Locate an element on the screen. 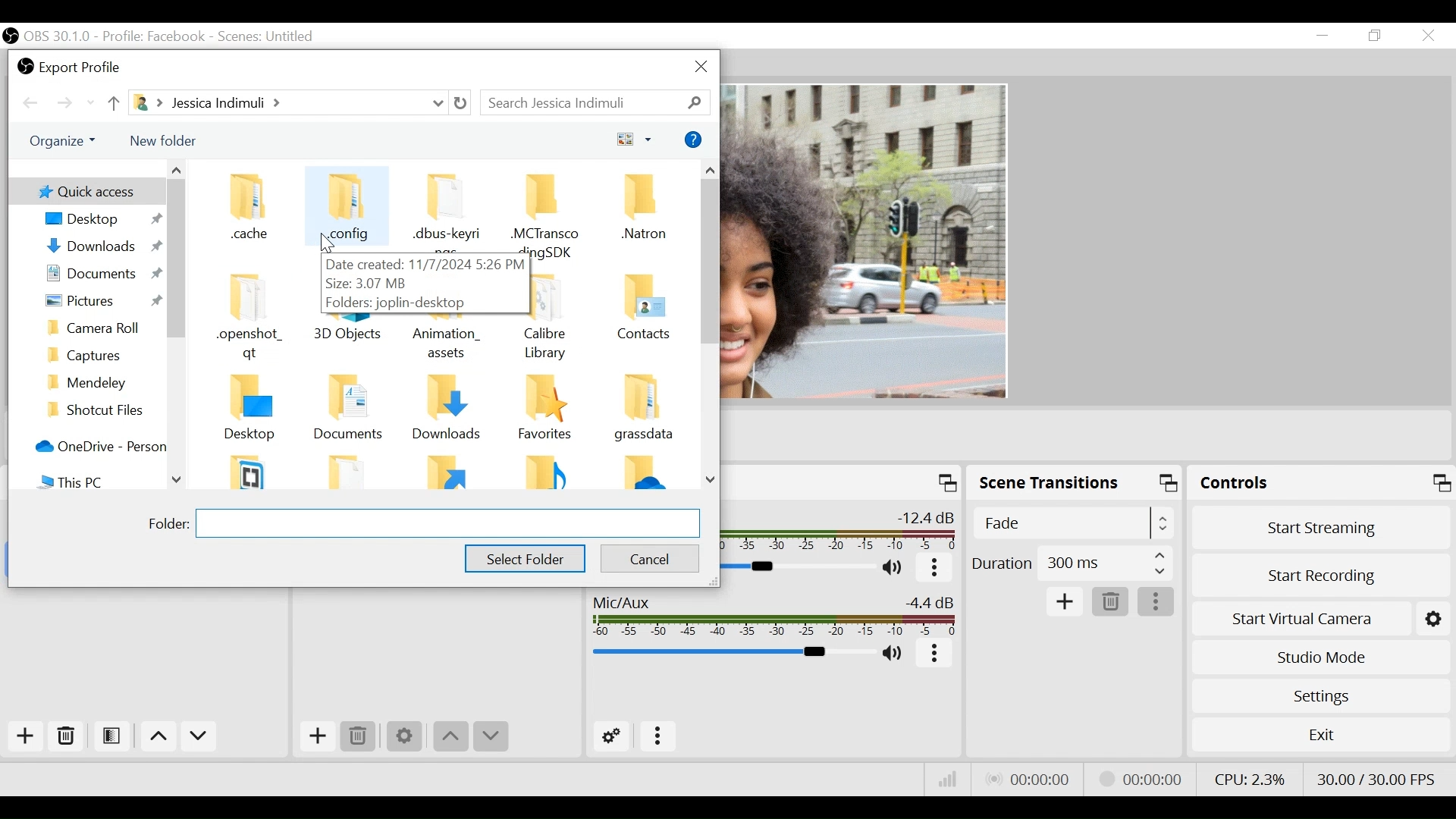 The image size is (1456, 819). OBS Studio Desktop Icon is located at coordinates (11, 36).